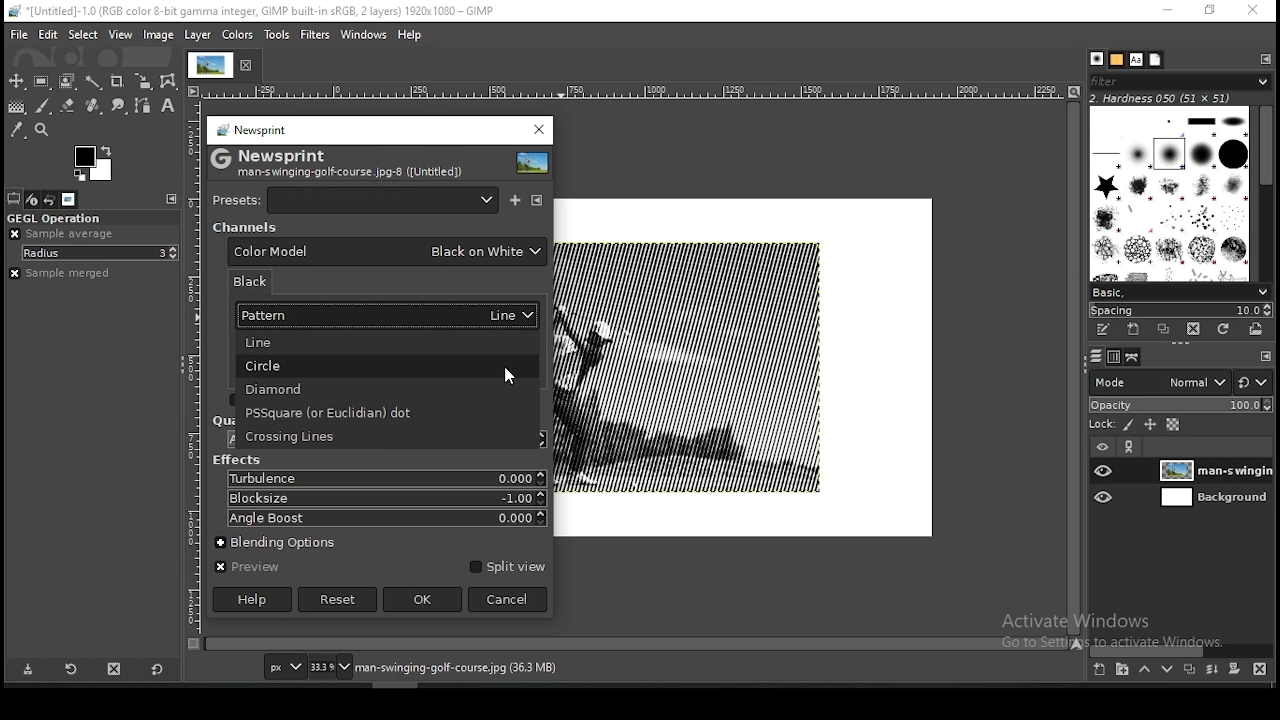 This screenshot has width=1280, height=720. Describe the element at coordinates (41, 129) in the screenshot. I see `zoom tool` at that location.